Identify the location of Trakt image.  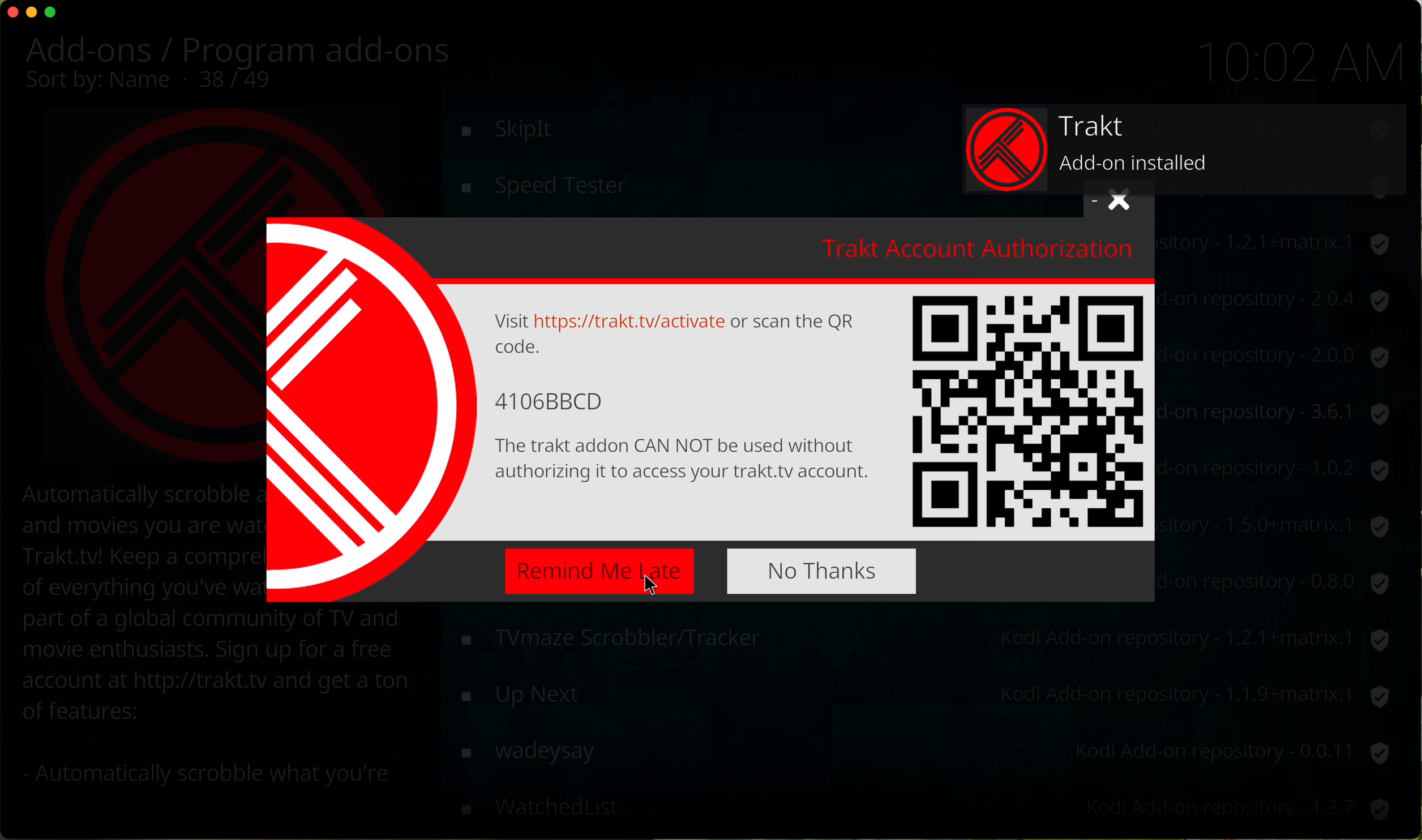
(156, 288).